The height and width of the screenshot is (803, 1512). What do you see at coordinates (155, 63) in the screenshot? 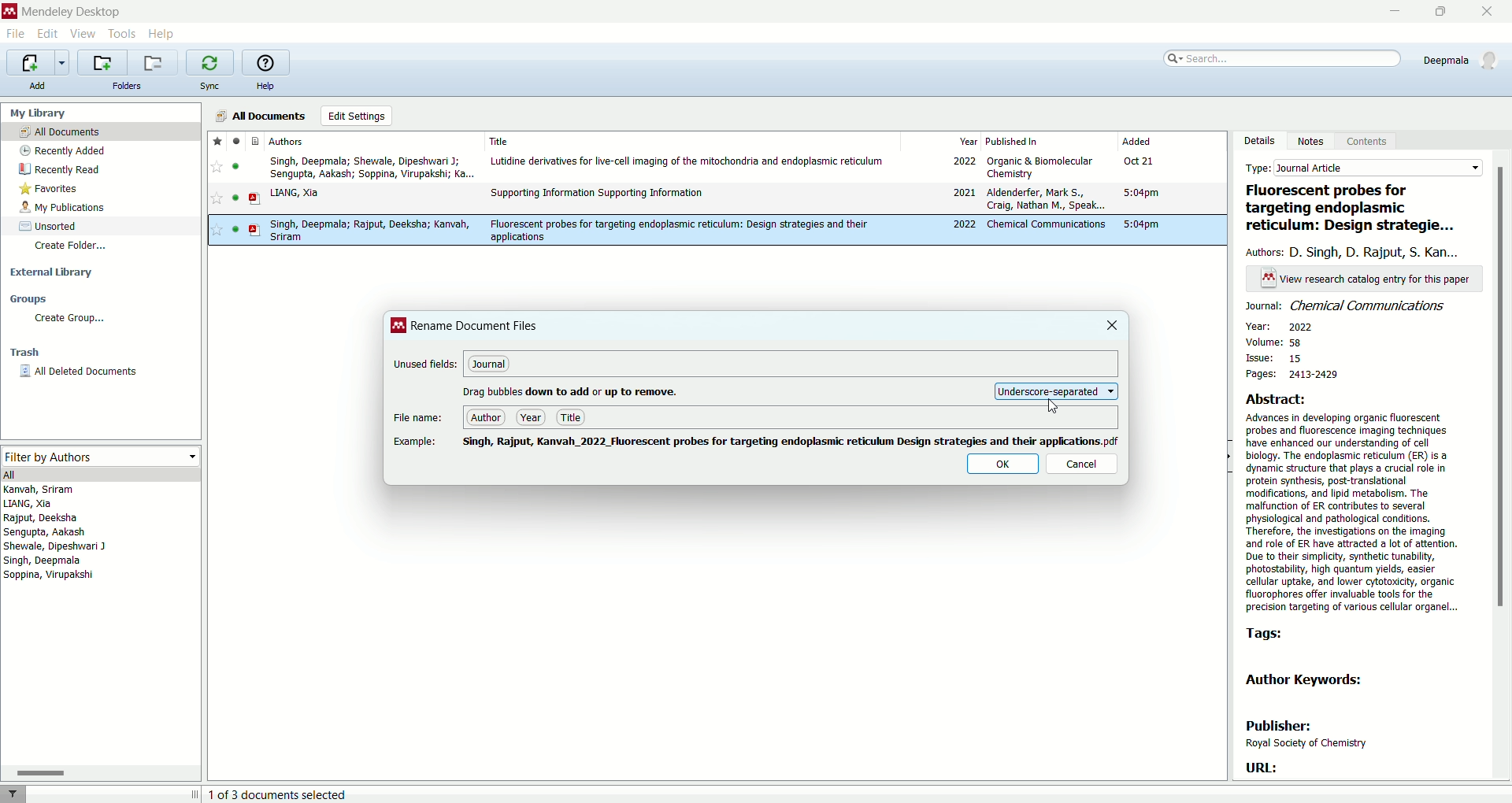
I see `remove current folder` at bounding box center [155, 63].